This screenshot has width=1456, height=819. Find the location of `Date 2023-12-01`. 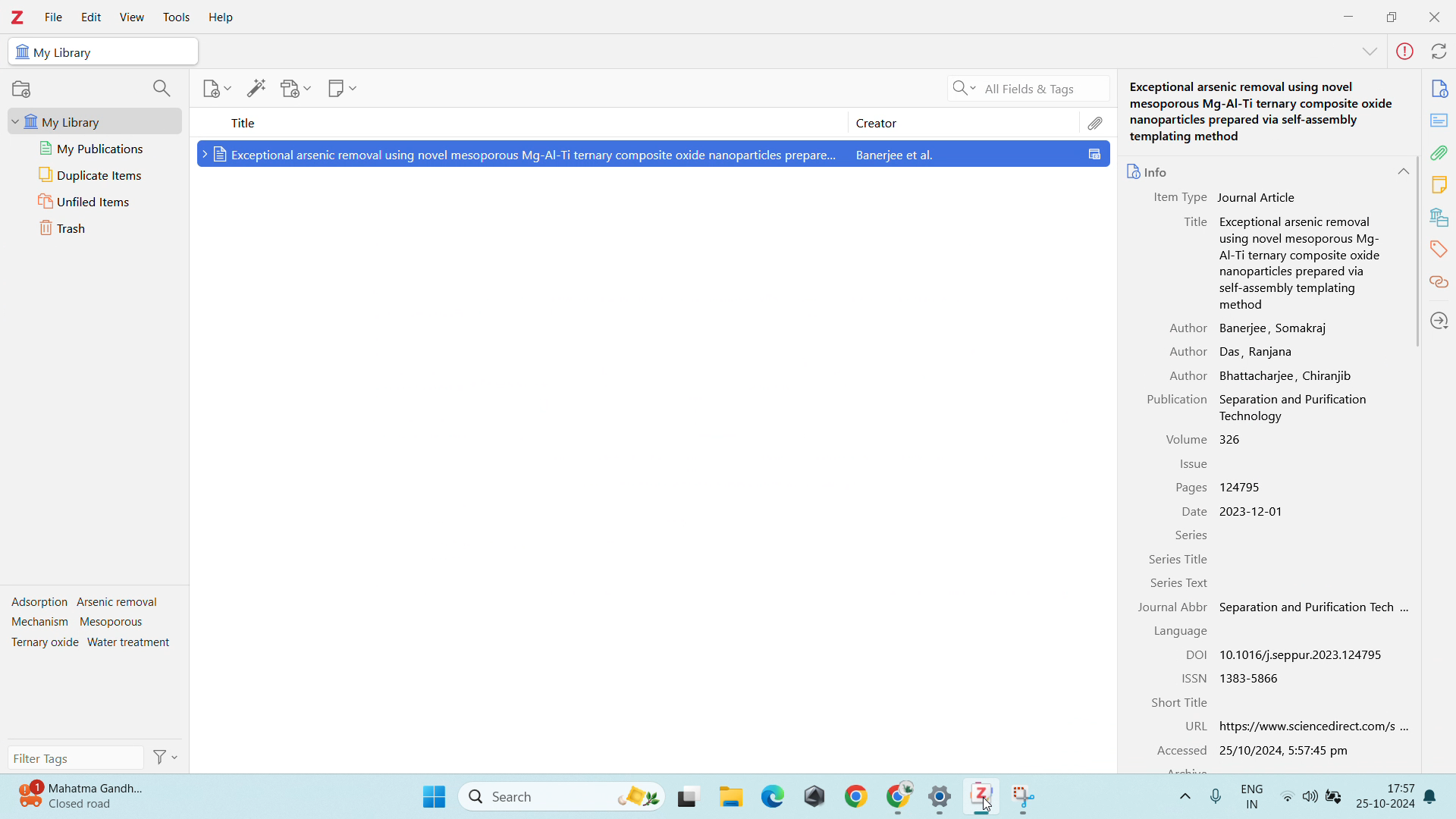

Date 2023-12-01 is located at coordinates (1230, 511).